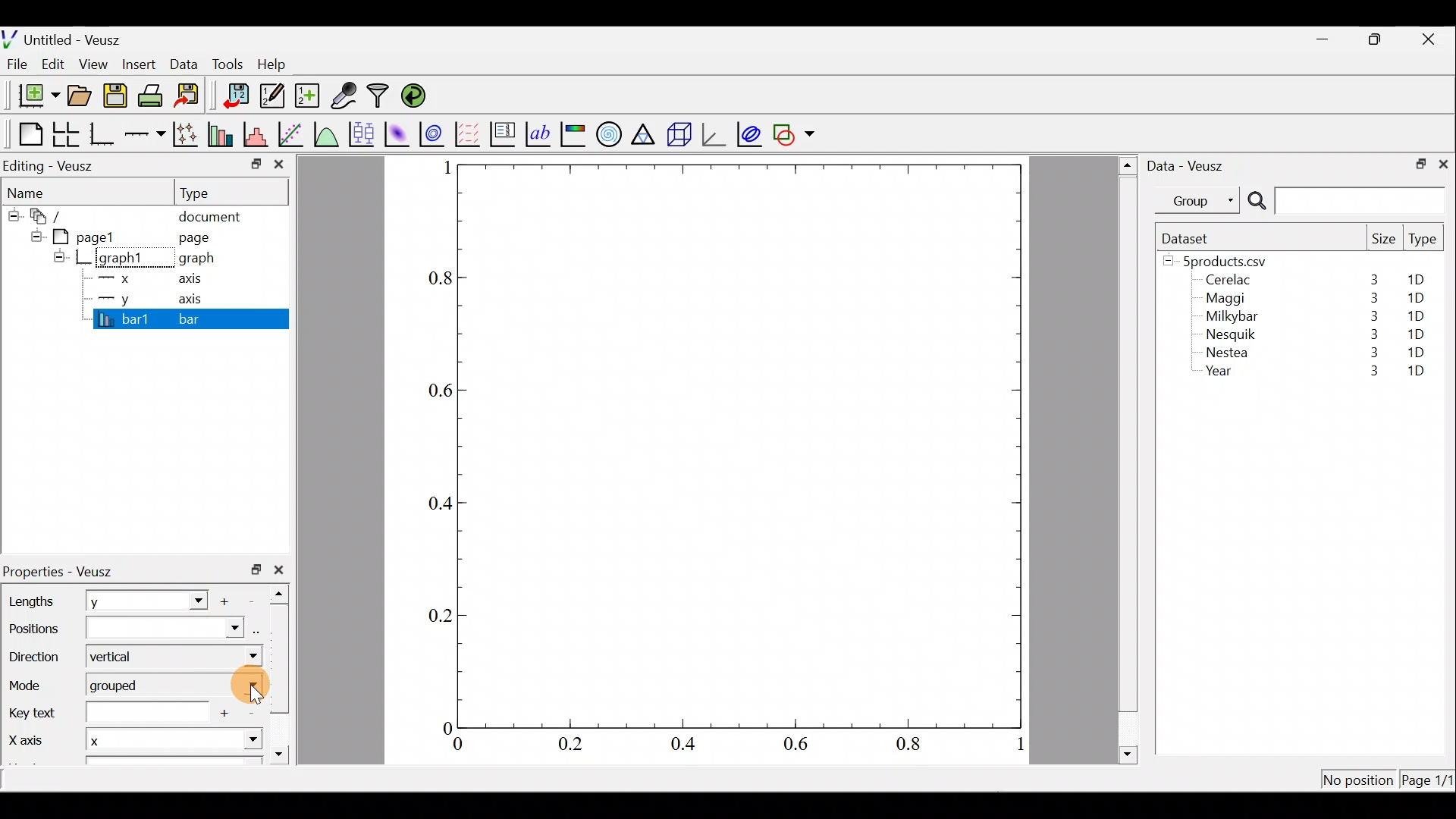  I want to click on Plot a vector field, so click(470, 134).